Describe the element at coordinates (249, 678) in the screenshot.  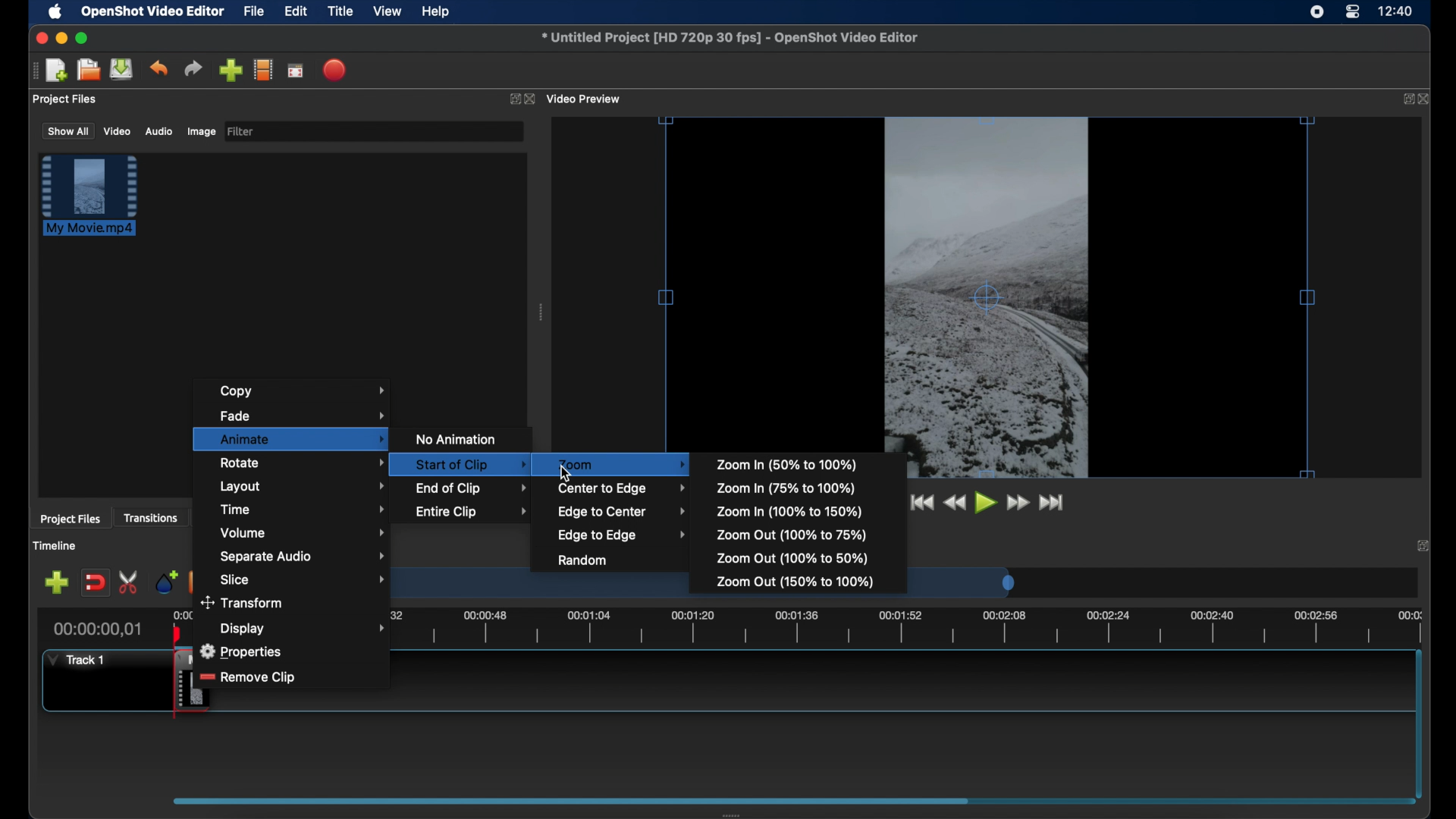
I see `remove clip` at that location.